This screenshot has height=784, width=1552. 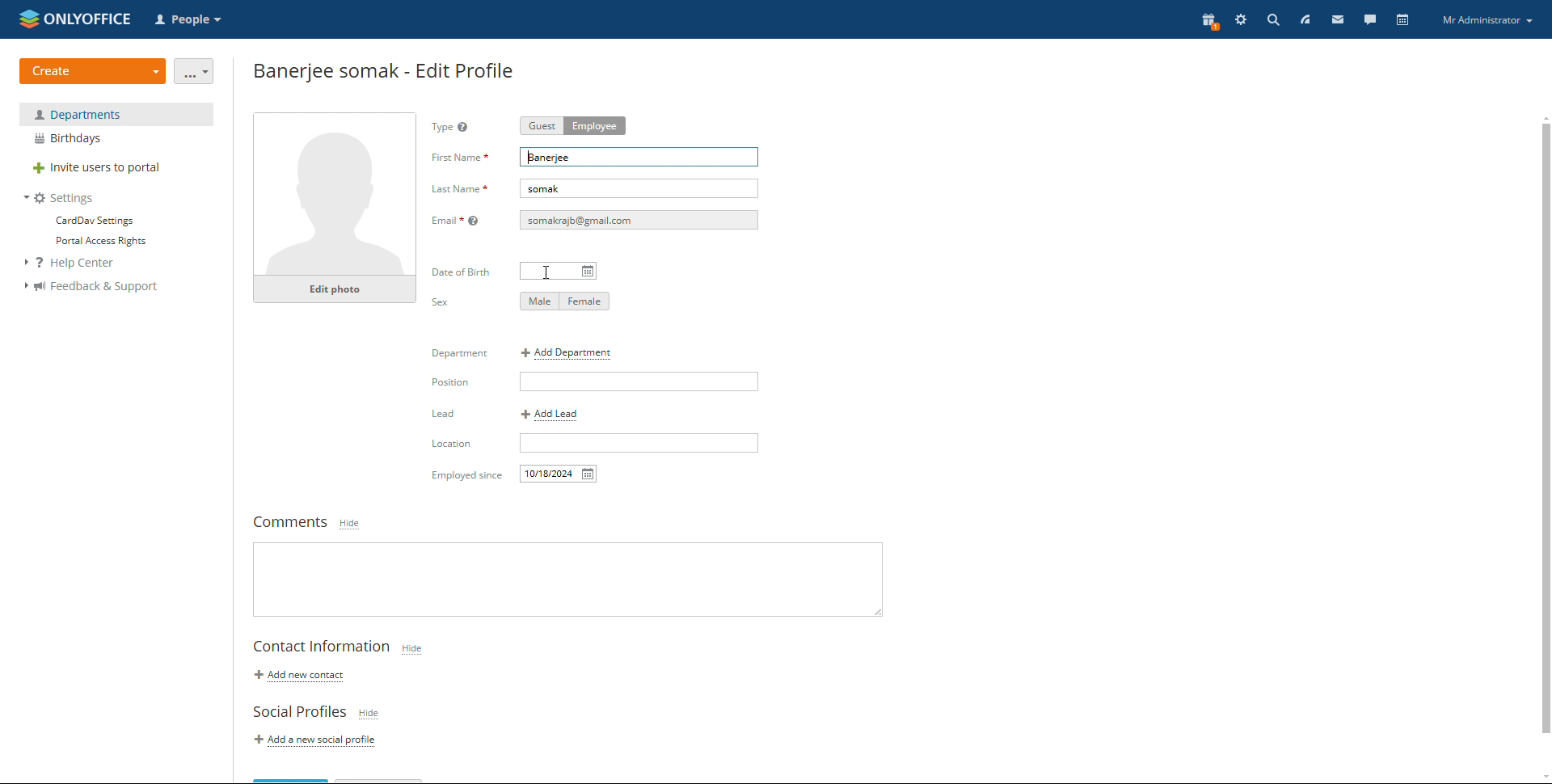 I want to click on talk, so click(x=1369, y=19).